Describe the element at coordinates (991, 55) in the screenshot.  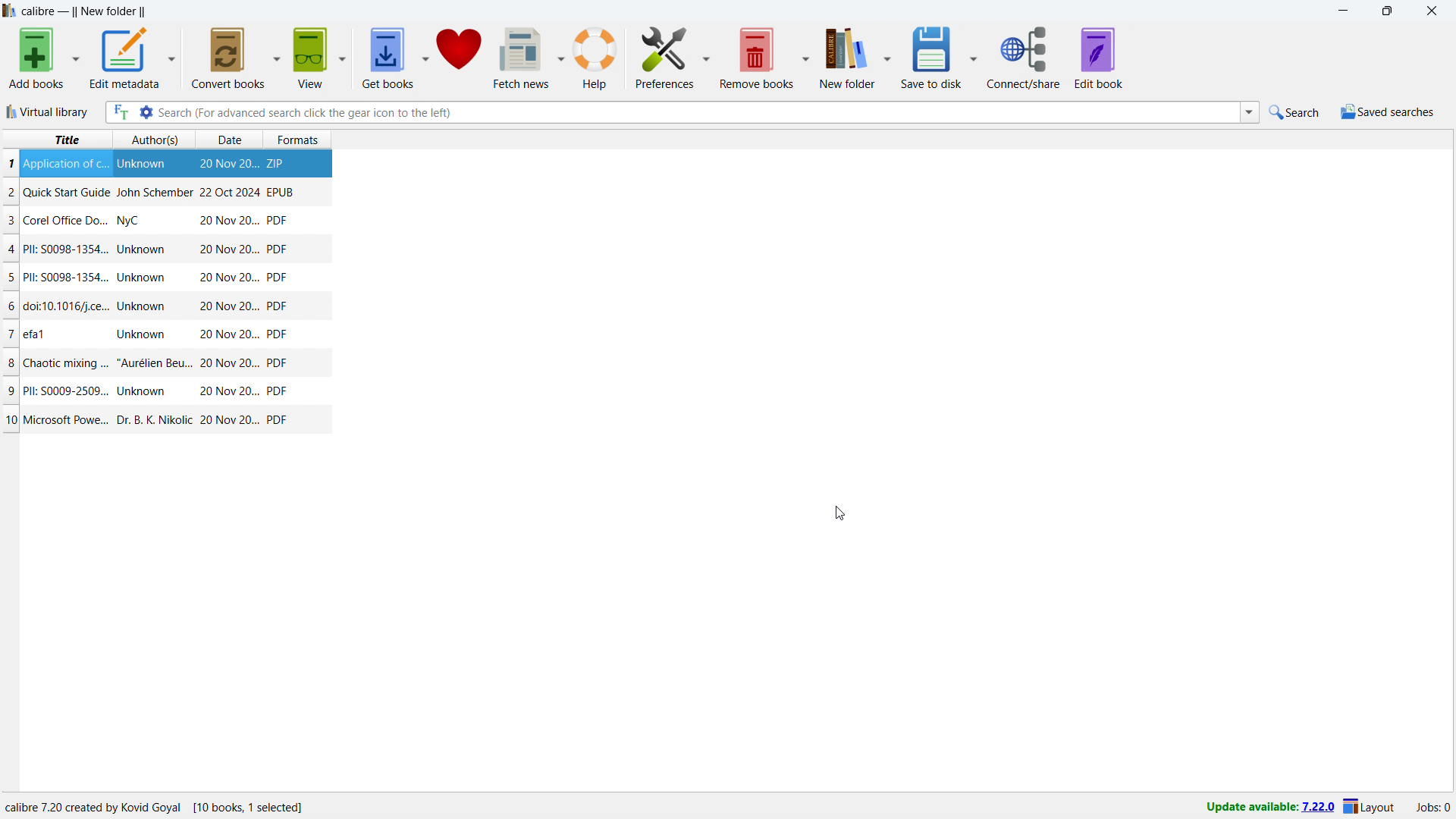
I see `save to disk options` at that location.